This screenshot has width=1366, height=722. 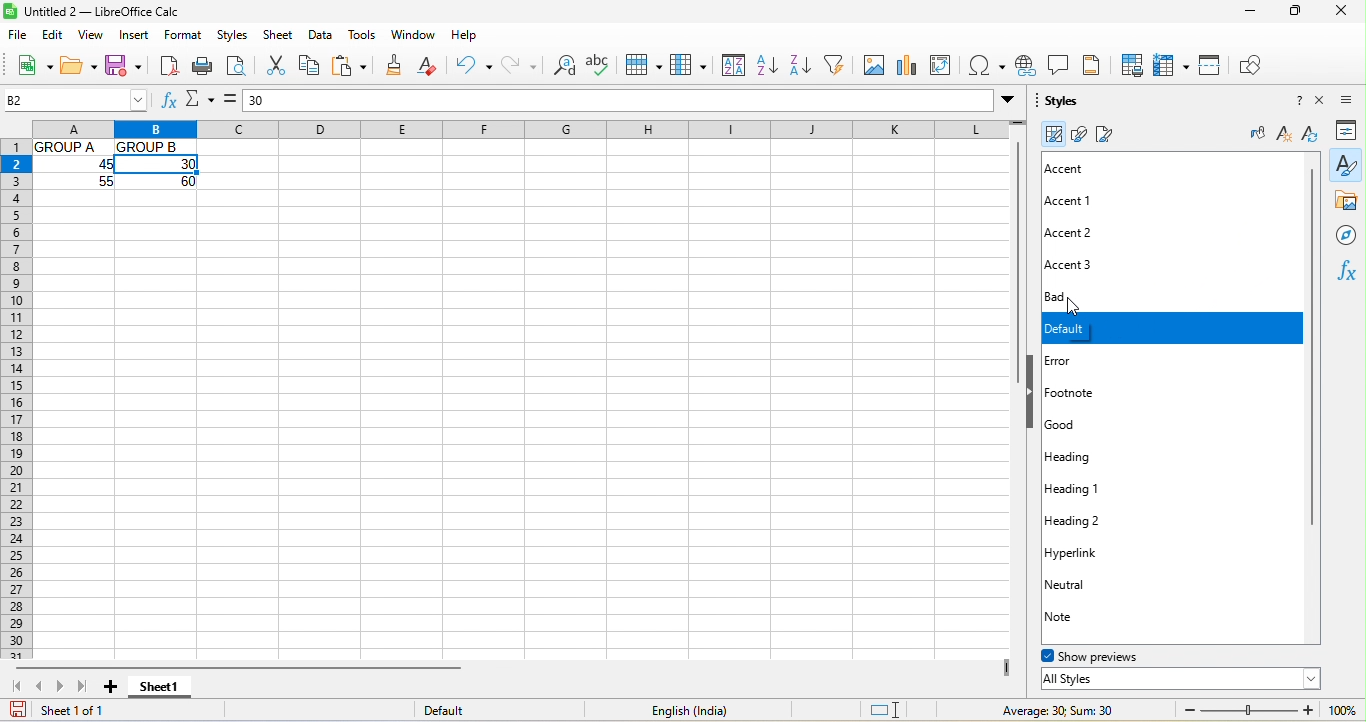 What do you see at coordinates (602, 64) in the screenshot?
I see `spelling` at bounding box center [602, 64].